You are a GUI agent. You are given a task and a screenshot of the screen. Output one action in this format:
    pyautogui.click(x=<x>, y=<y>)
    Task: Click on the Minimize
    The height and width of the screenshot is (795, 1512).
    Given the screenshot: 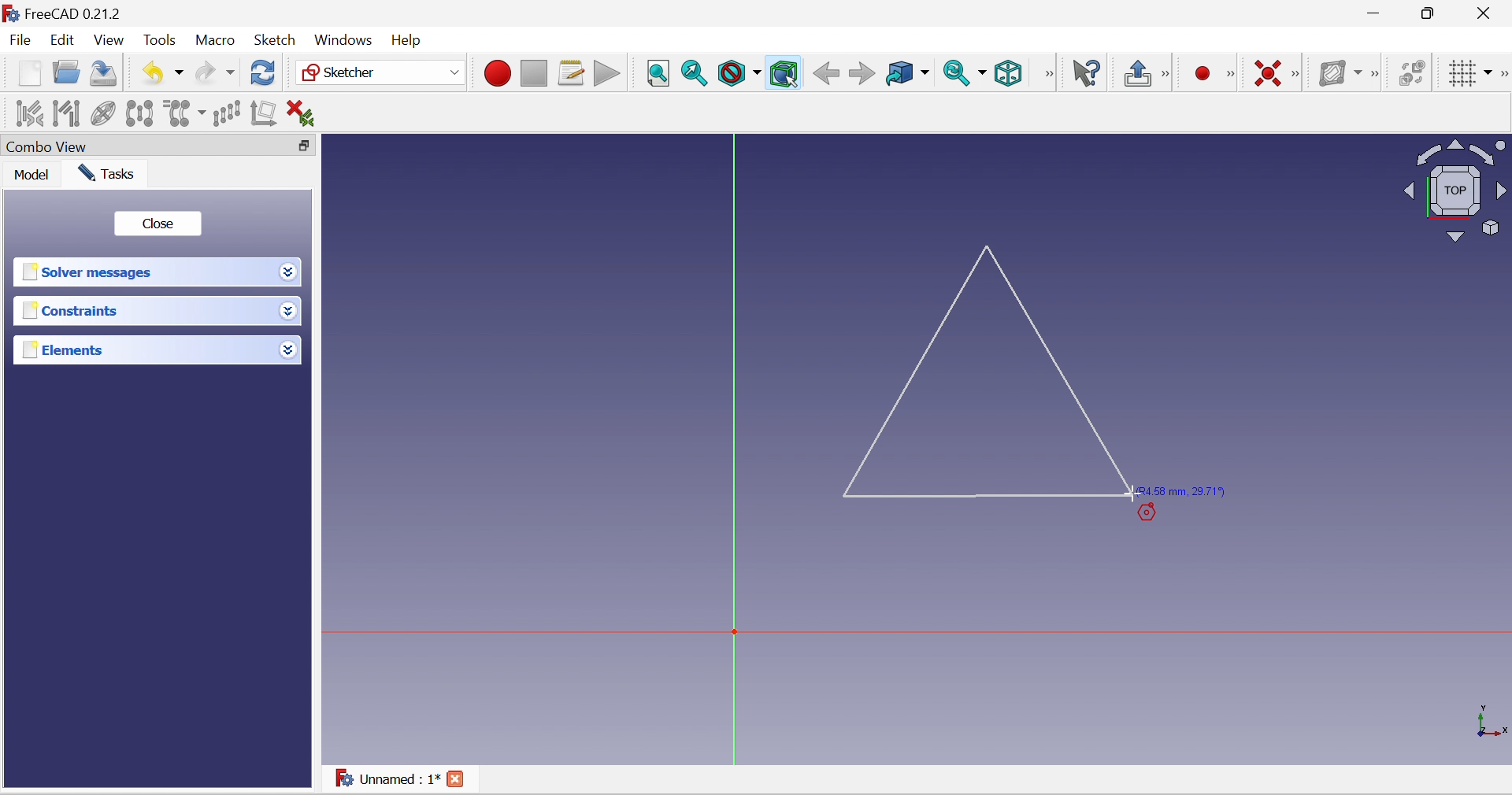 What is the action you would take?
    pyautogui.click(x=1373, y=13)
    